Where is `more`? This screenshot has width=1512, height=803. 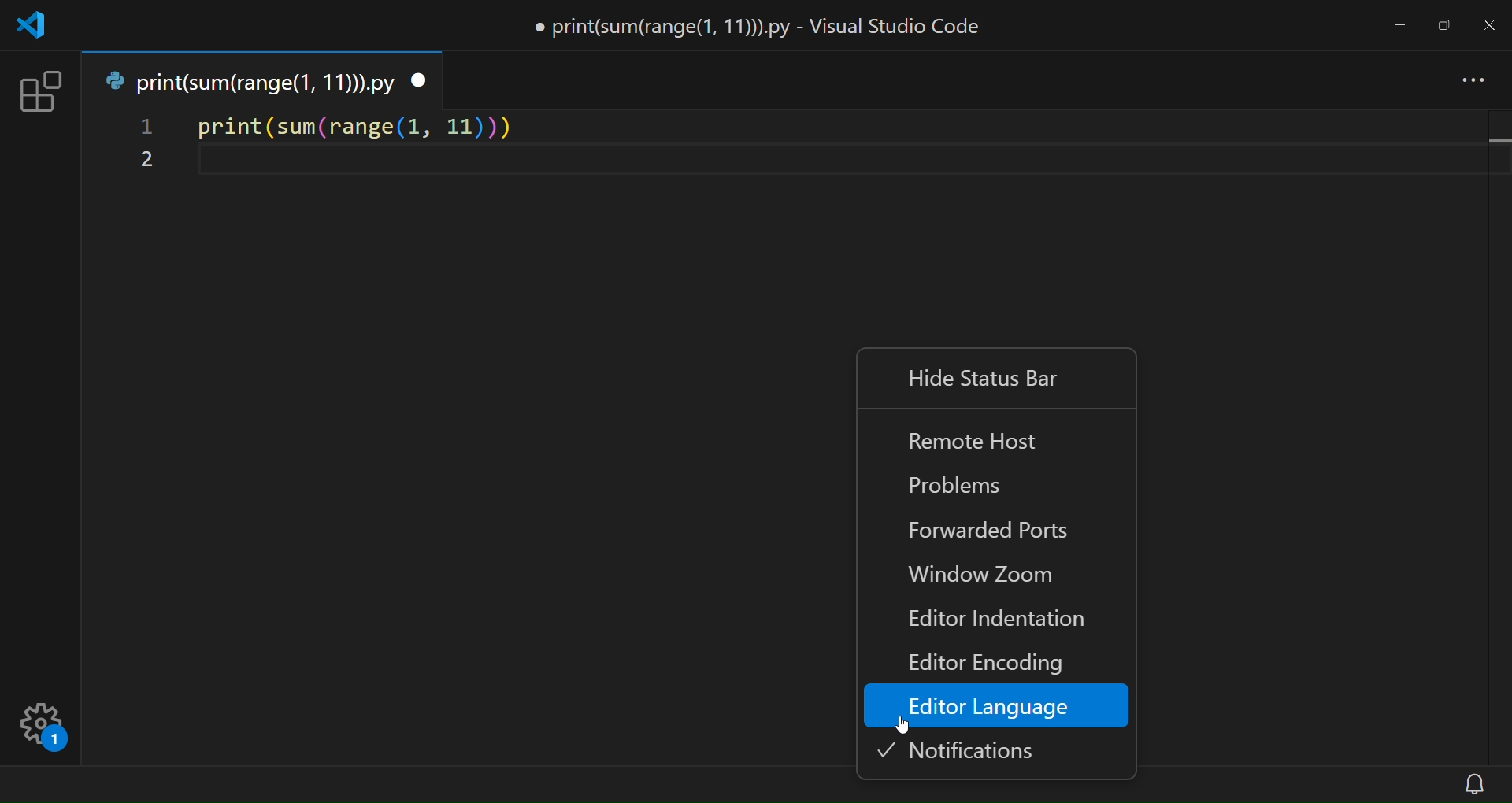
more is located at coordinates (1475, 82).